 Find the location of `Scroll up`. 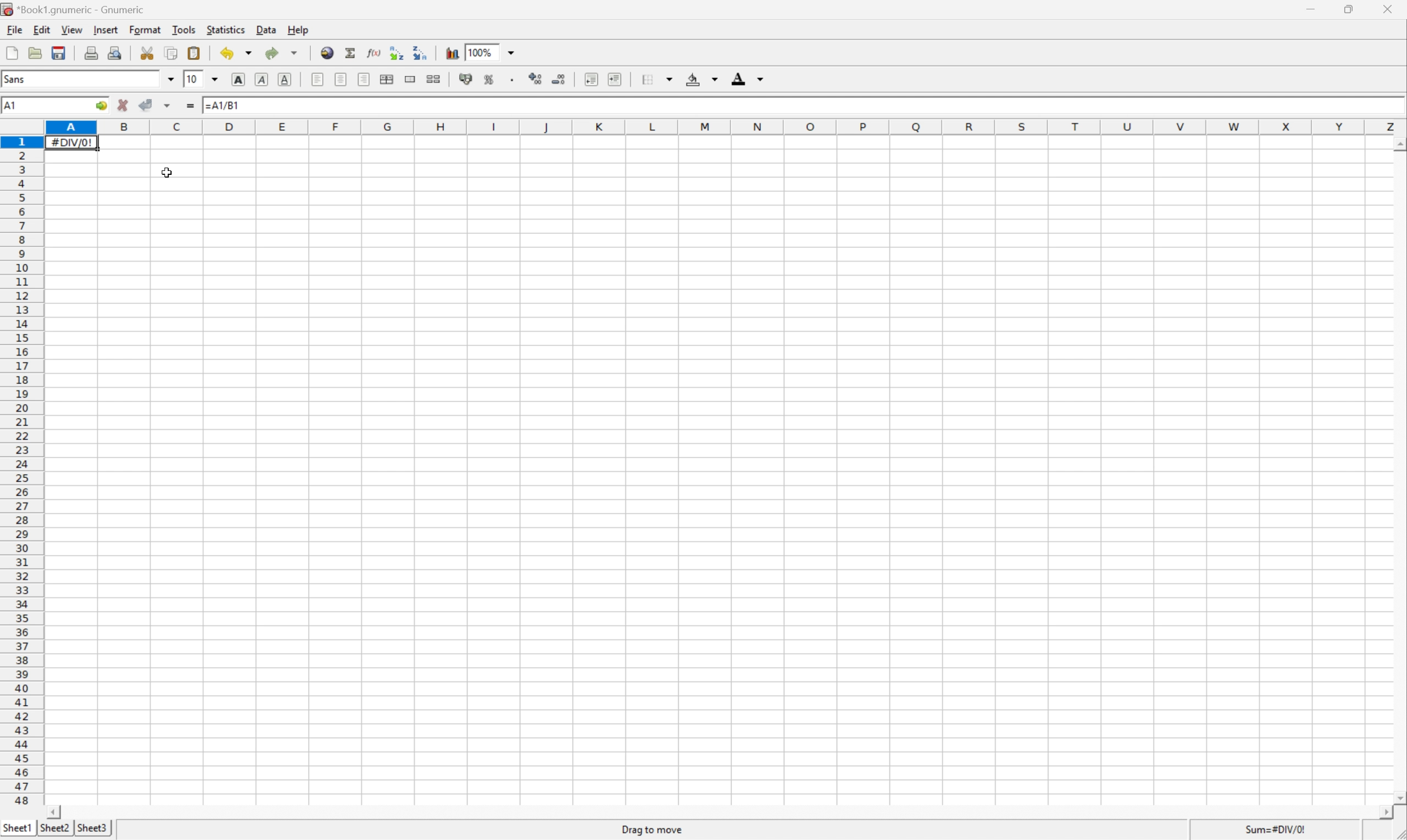

Scroll up is located at coordinates (1398, 144).